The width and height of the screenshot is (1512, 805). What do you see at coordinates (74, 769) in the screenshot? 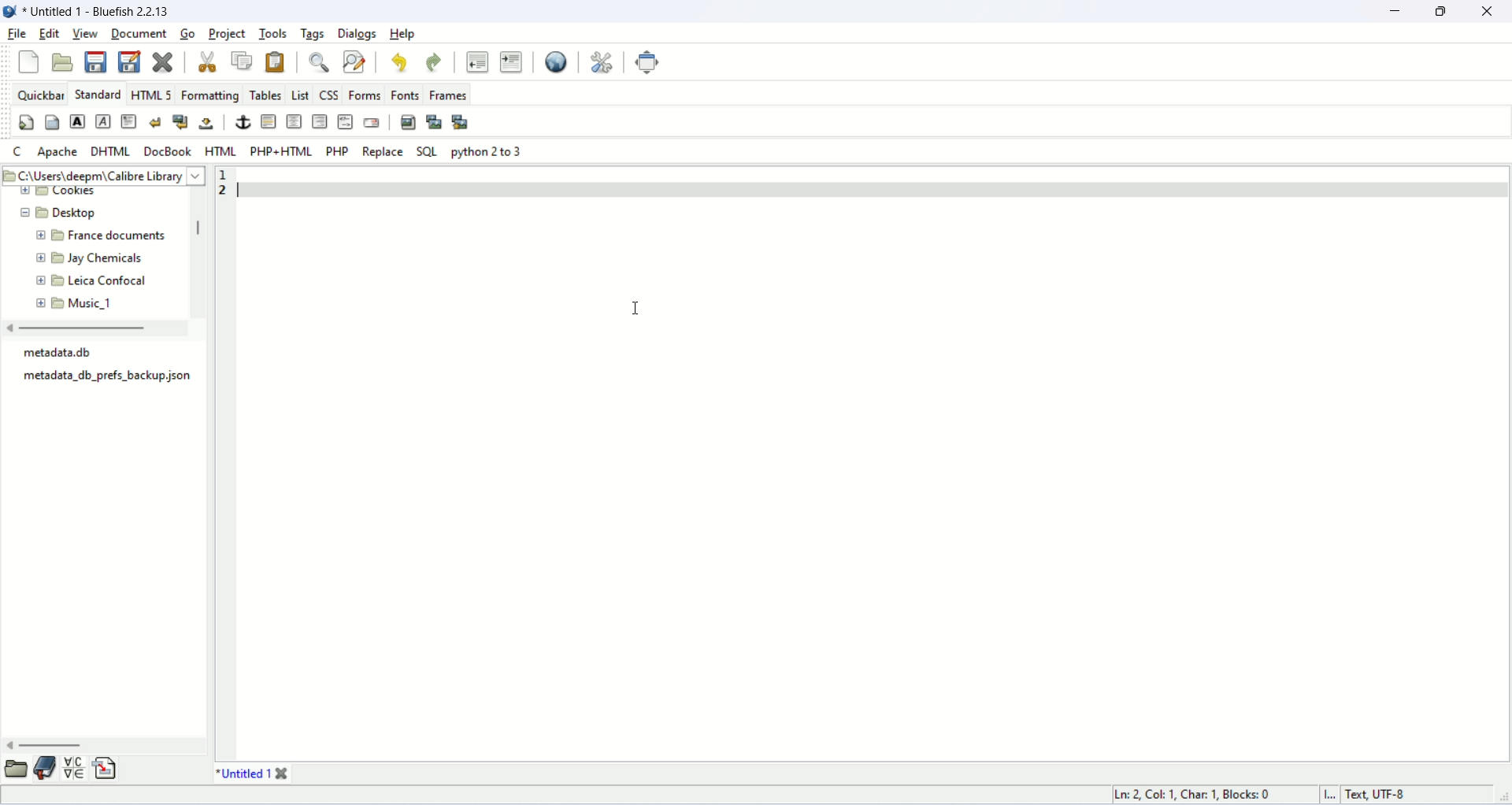
I see `char map` at bounding box center [74, 769].